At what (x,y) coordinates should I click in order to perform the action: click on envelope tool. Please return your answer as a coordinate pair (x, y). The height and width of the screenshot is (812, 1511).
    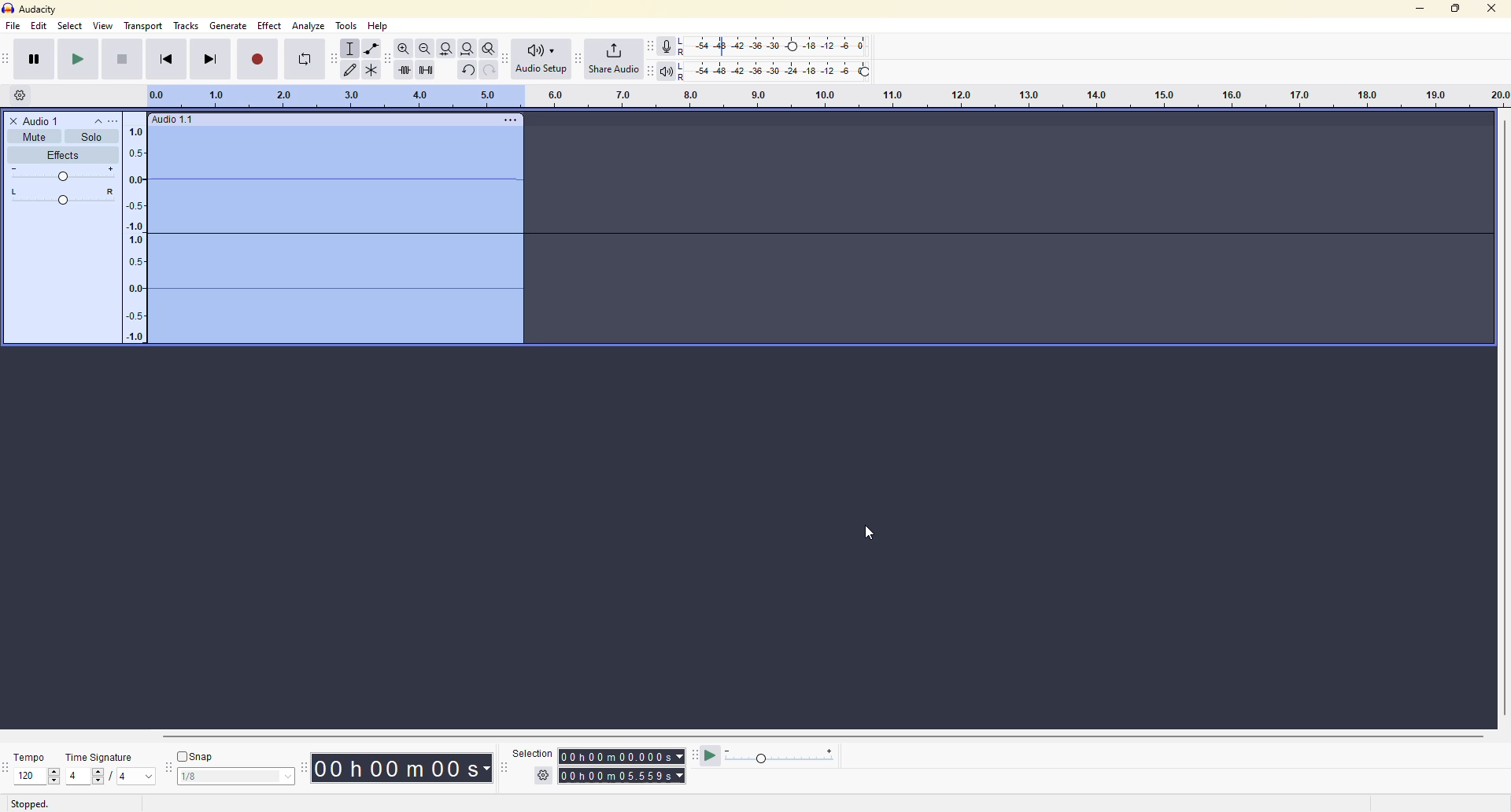
    Looking at the image, I should click on (371, 49).